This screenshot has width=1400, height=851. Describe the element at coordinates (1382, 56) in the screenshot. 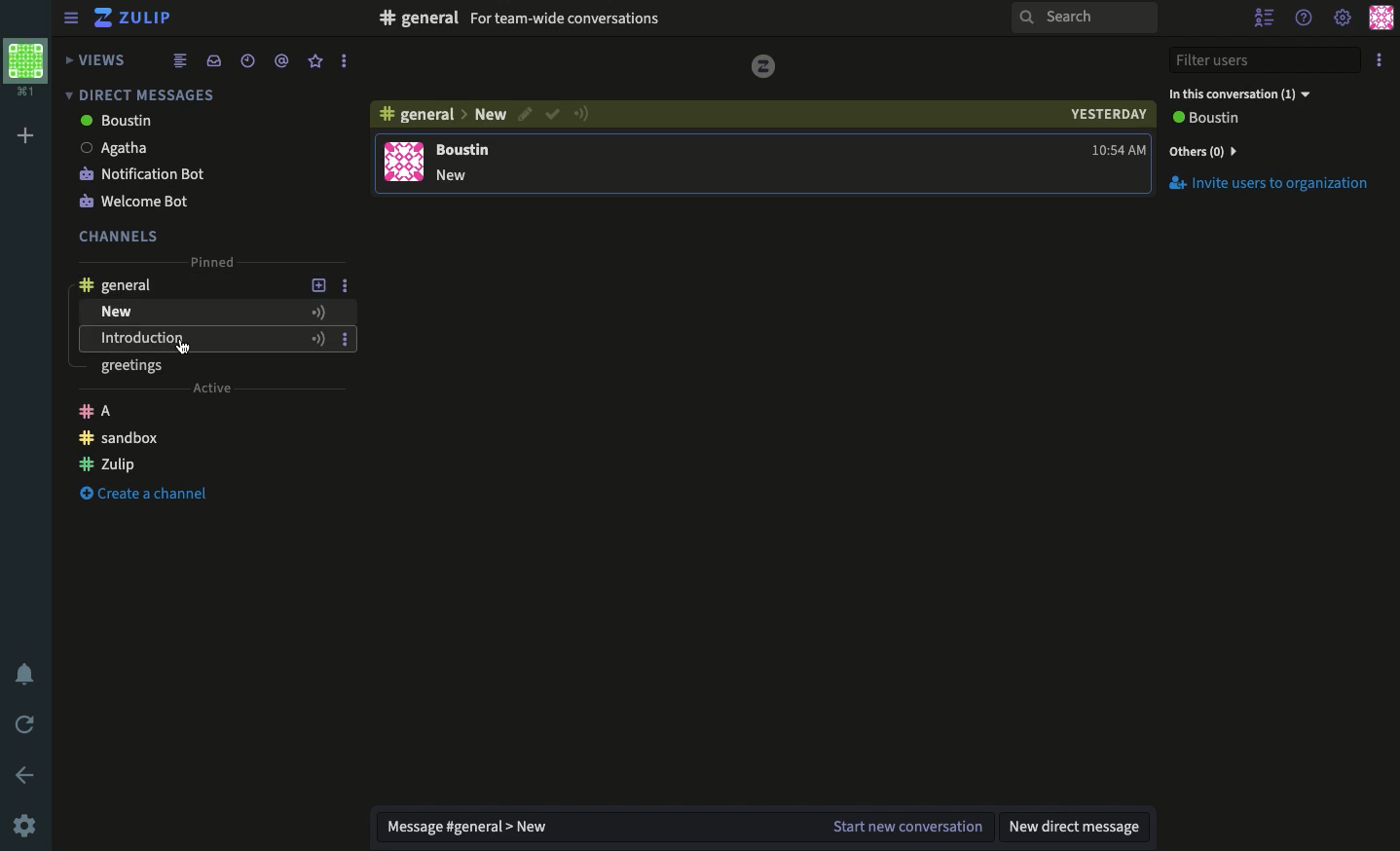

I see `Options ` at that location.